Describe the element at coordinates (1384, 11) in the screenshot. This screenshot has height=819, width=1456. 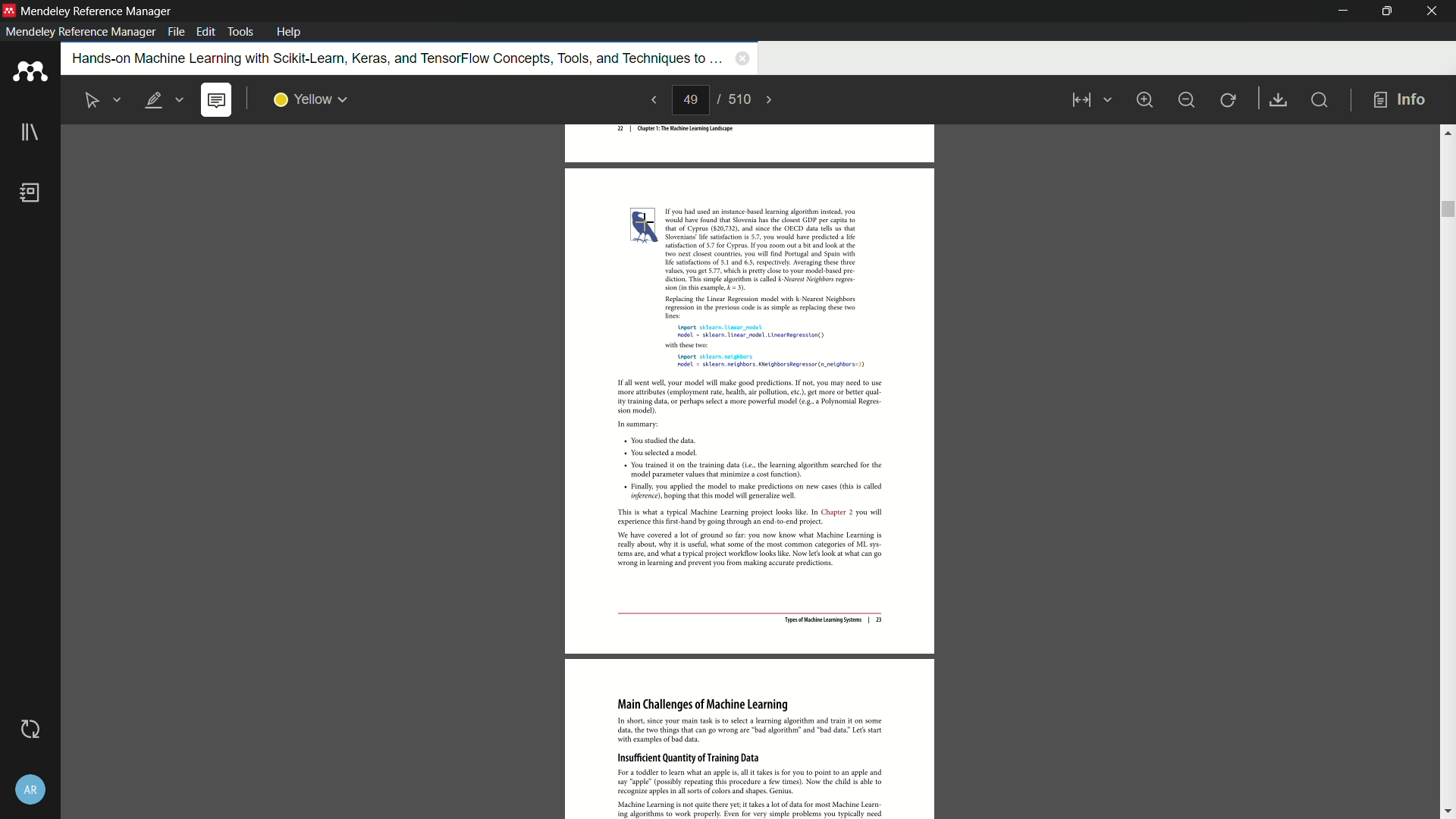
I see `maximize` at that location.